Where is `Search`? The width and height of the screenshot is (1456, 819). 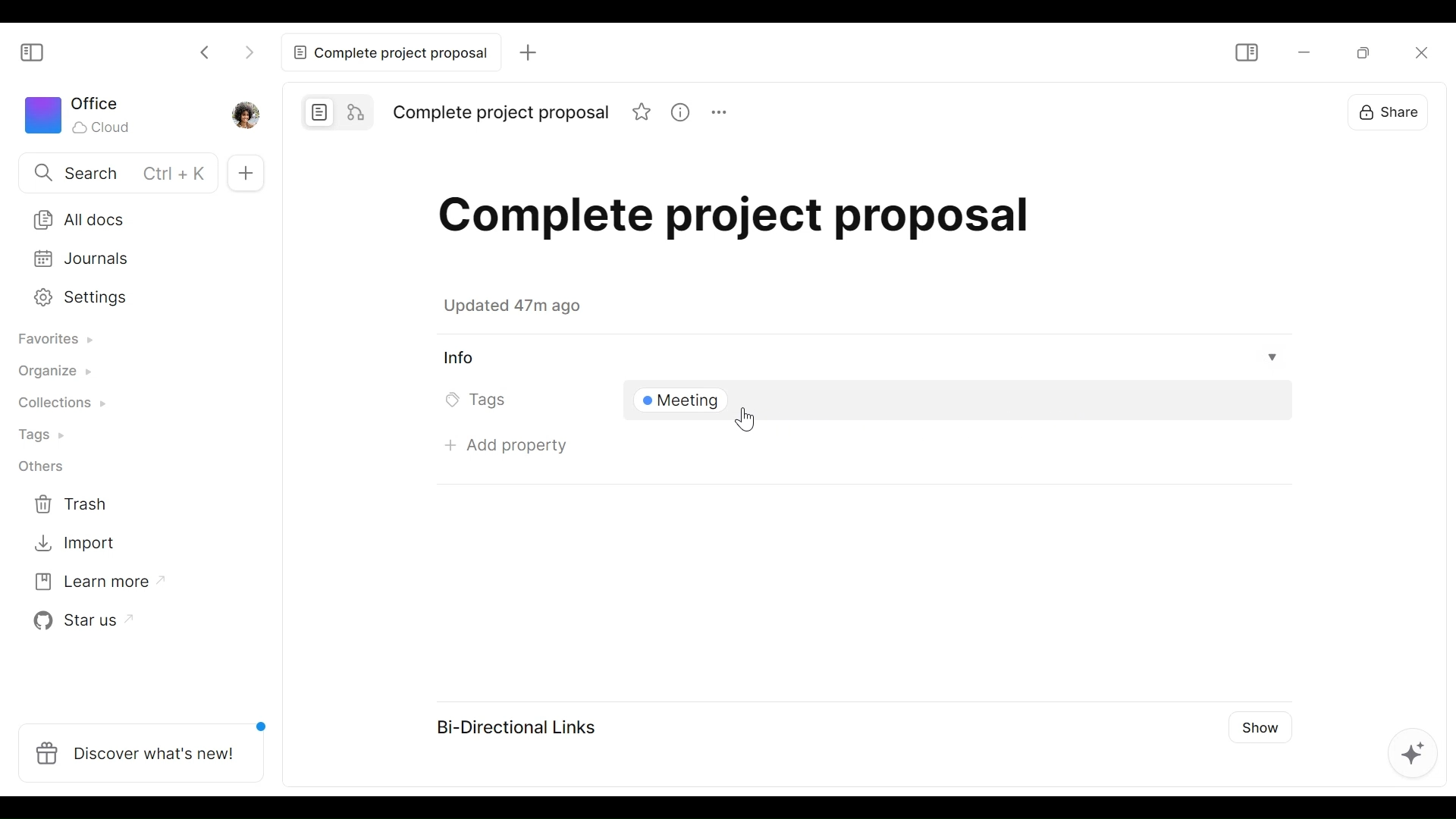 Search is located at coordinates (112, 172).